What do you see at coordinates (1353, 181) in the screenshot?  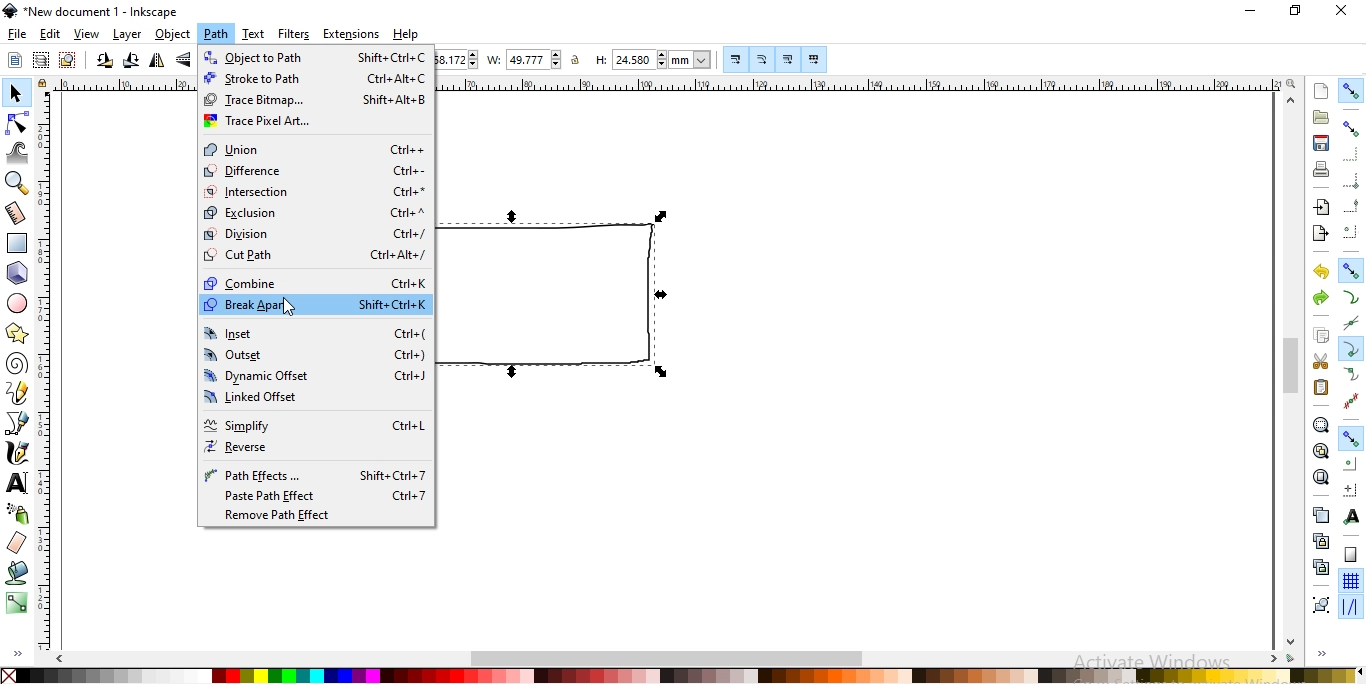 I see `snap bounding box corners` at bounding box center [1353, 181].